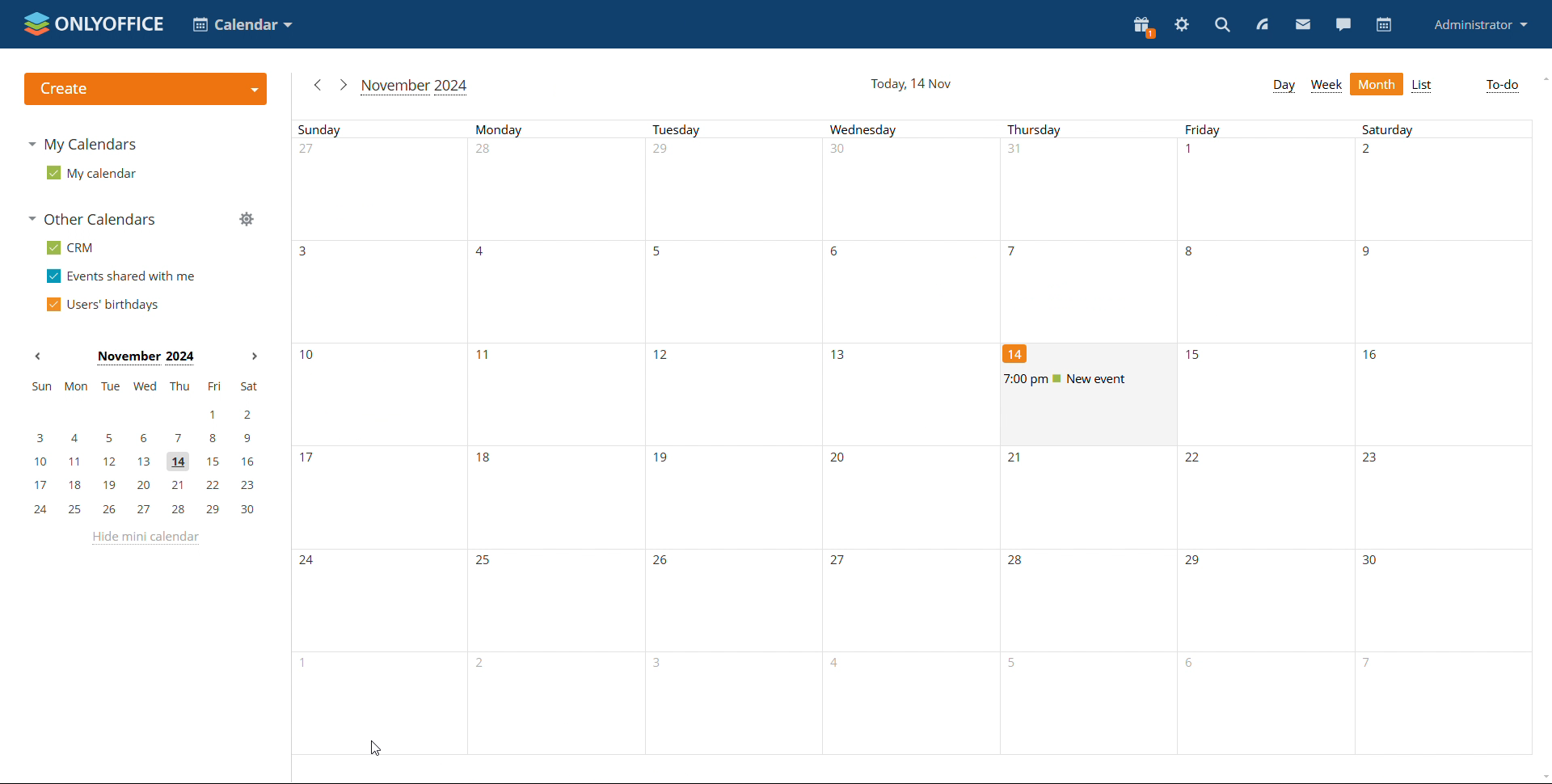  What do you see at coordinates (306, 251) in the screenshot?
I see `number` at bounding box center [306, 251].